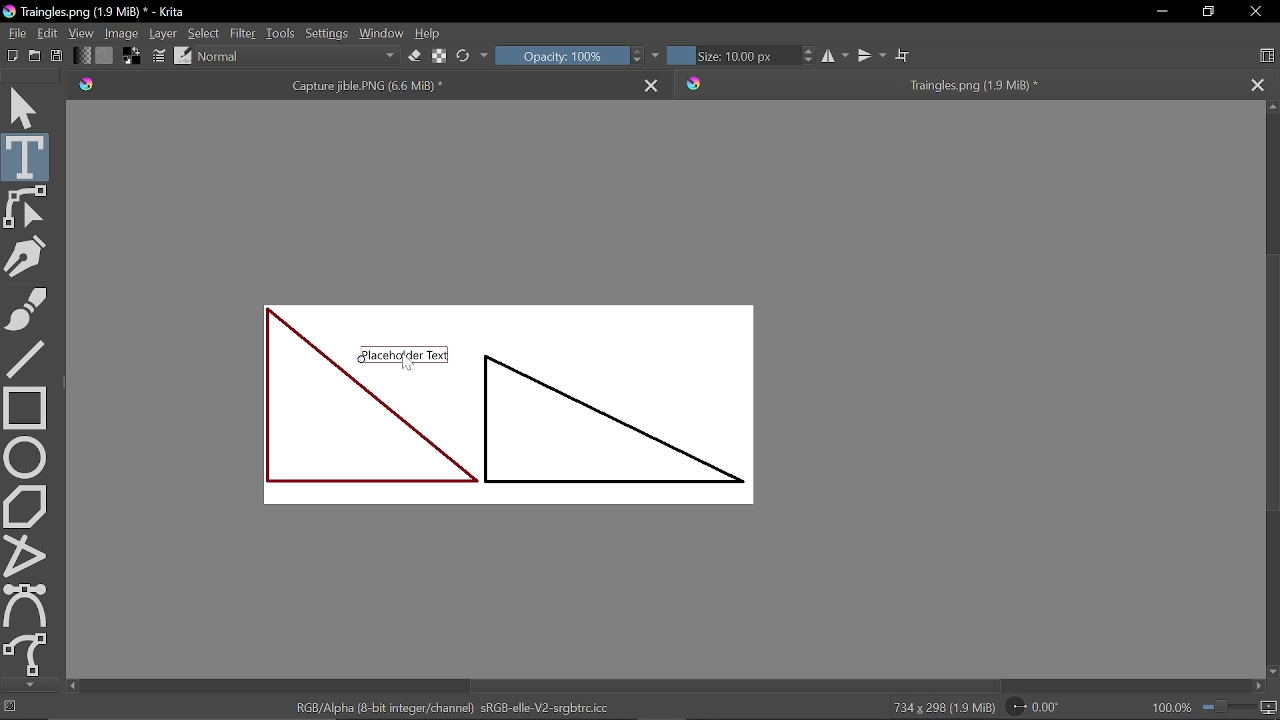 This screenshot has width=1280, height=720. Describe the element at coordinates (731, 683) in the screenshot. I see `Horizontal scrollbar` at that location.